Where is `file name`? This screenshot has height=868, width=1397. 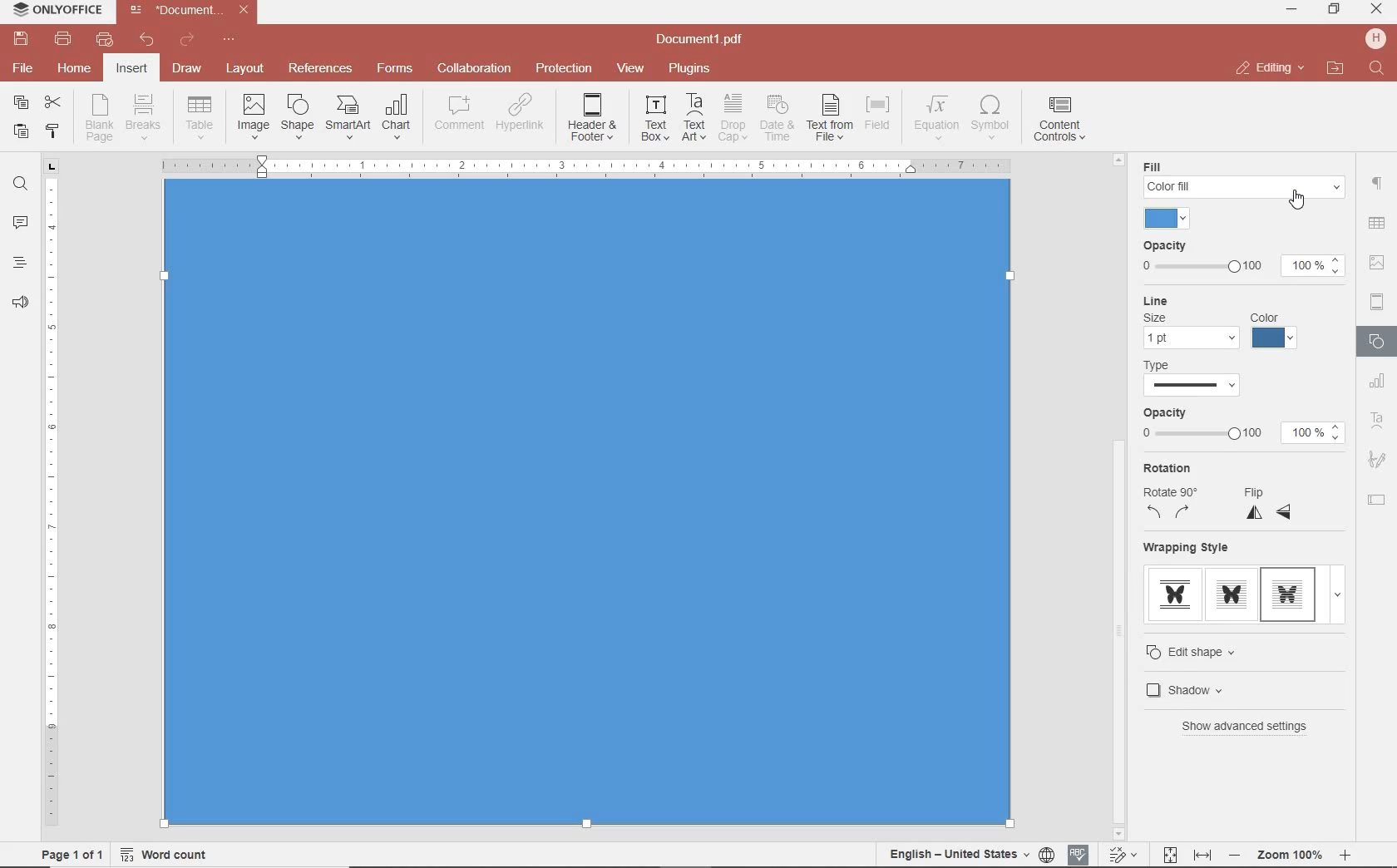 file name is located at coordinates (193, 10).